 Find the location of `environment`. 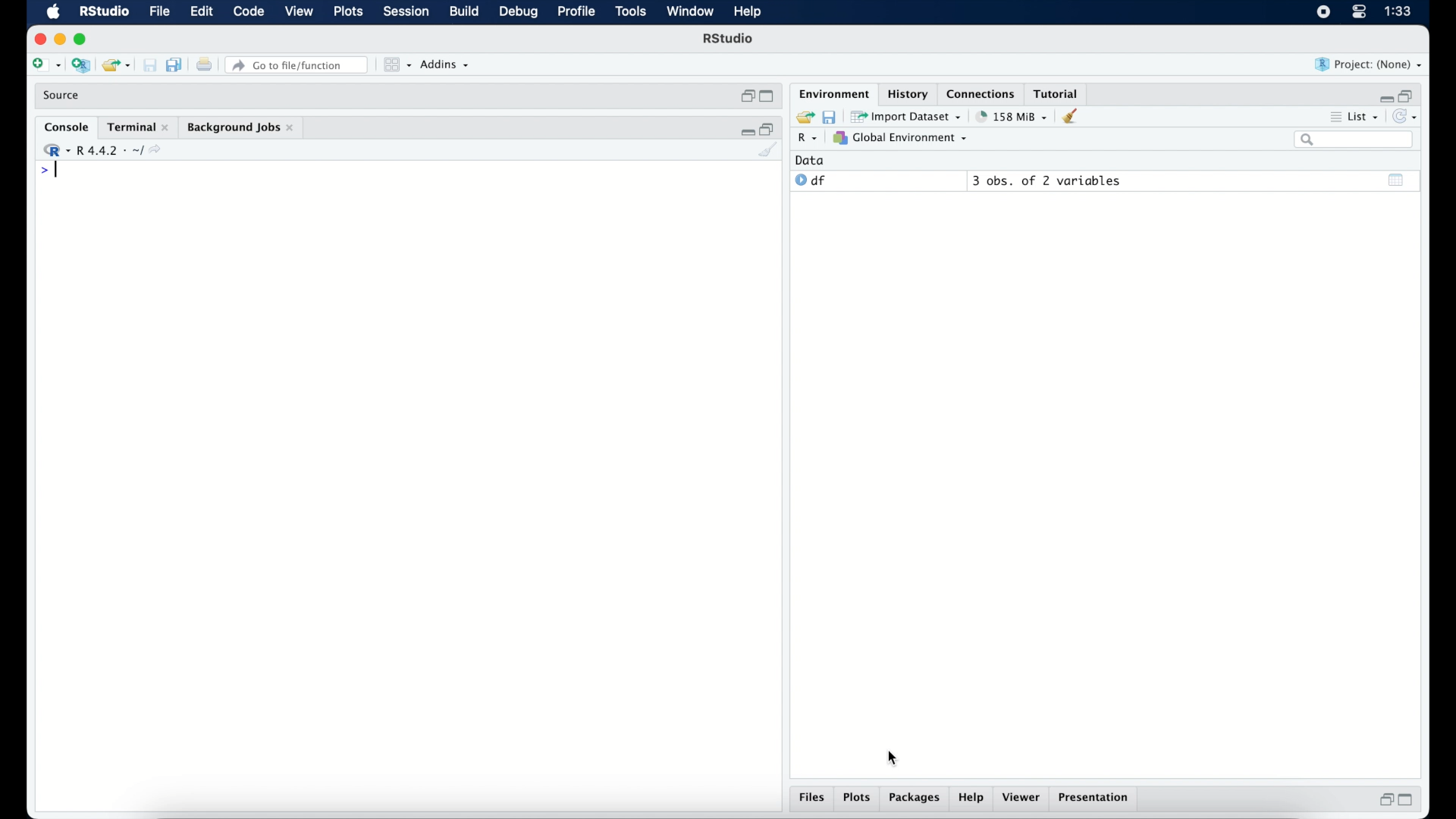

environment is located at coordinates (833, 93).